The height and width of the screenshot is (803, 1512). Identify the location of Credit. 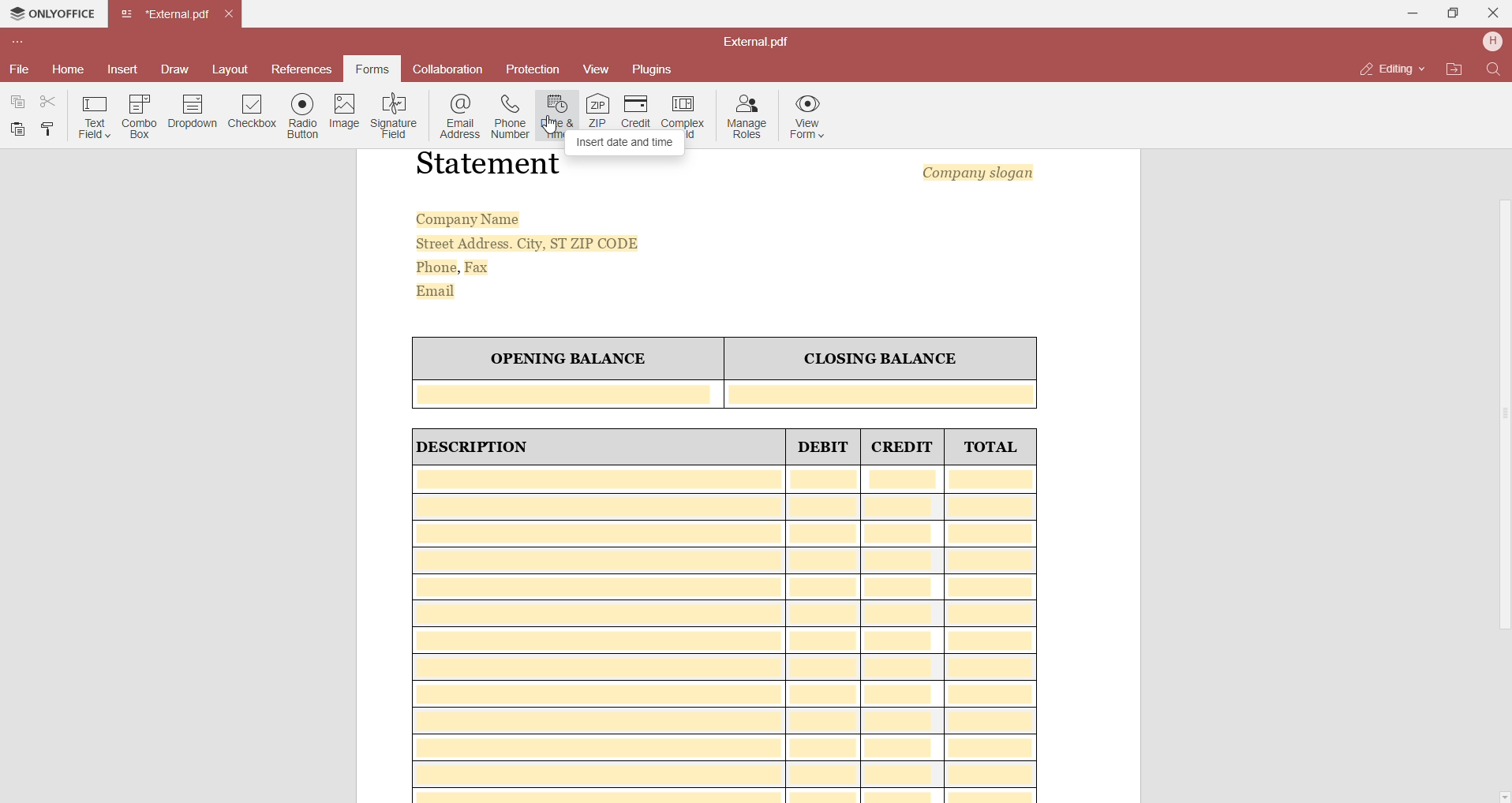
(637, 111).